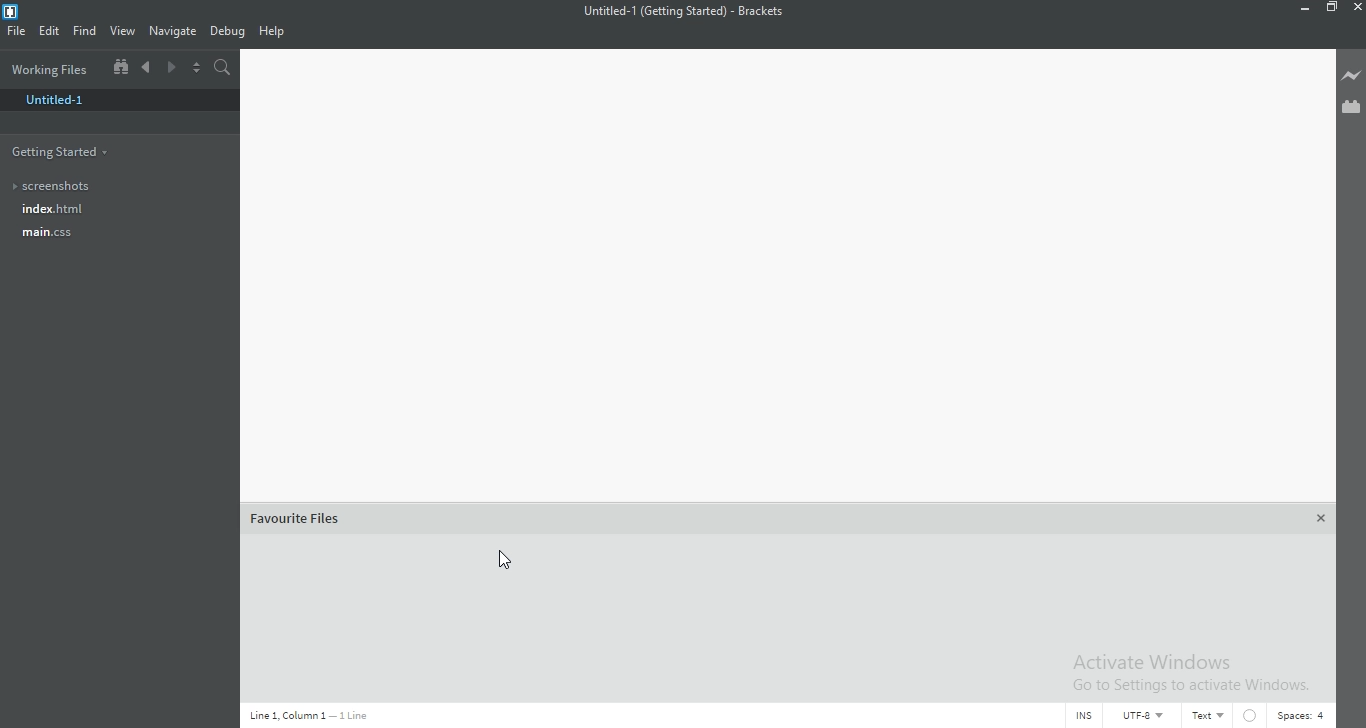 Image resolution: width=1366 pixels, height=728 pixels. What do you see at coordinates (150, 71) in the screenshot?
I see `Previous document` at bounding box center [150, 71].